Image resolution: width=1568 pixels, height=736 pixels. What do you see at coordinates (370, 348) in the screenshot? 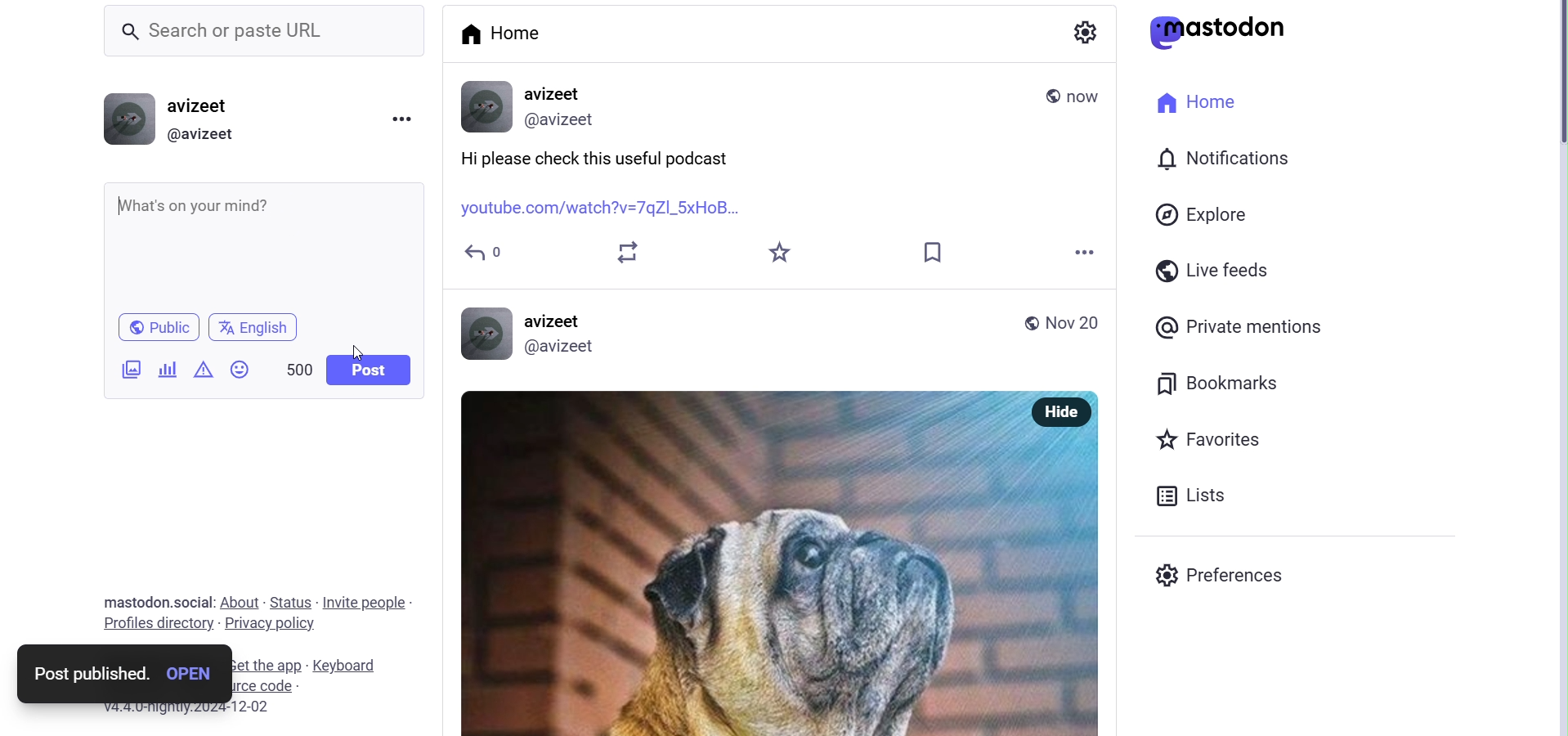
I see `cursor` at bounding box center [370, 348].